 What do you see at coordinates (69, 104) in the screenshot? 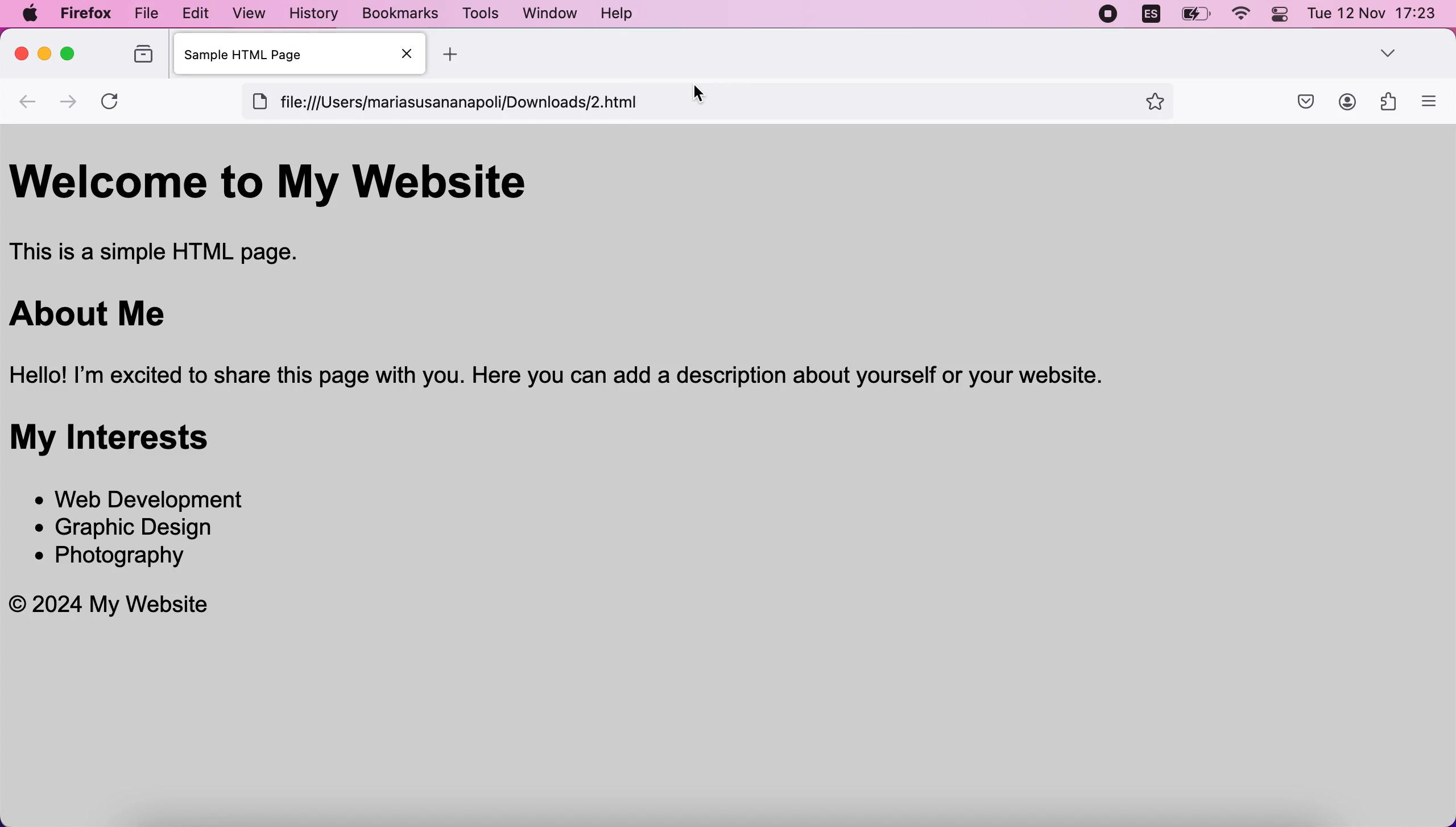
I see `go one page forward` at bounding box center [69, 104].